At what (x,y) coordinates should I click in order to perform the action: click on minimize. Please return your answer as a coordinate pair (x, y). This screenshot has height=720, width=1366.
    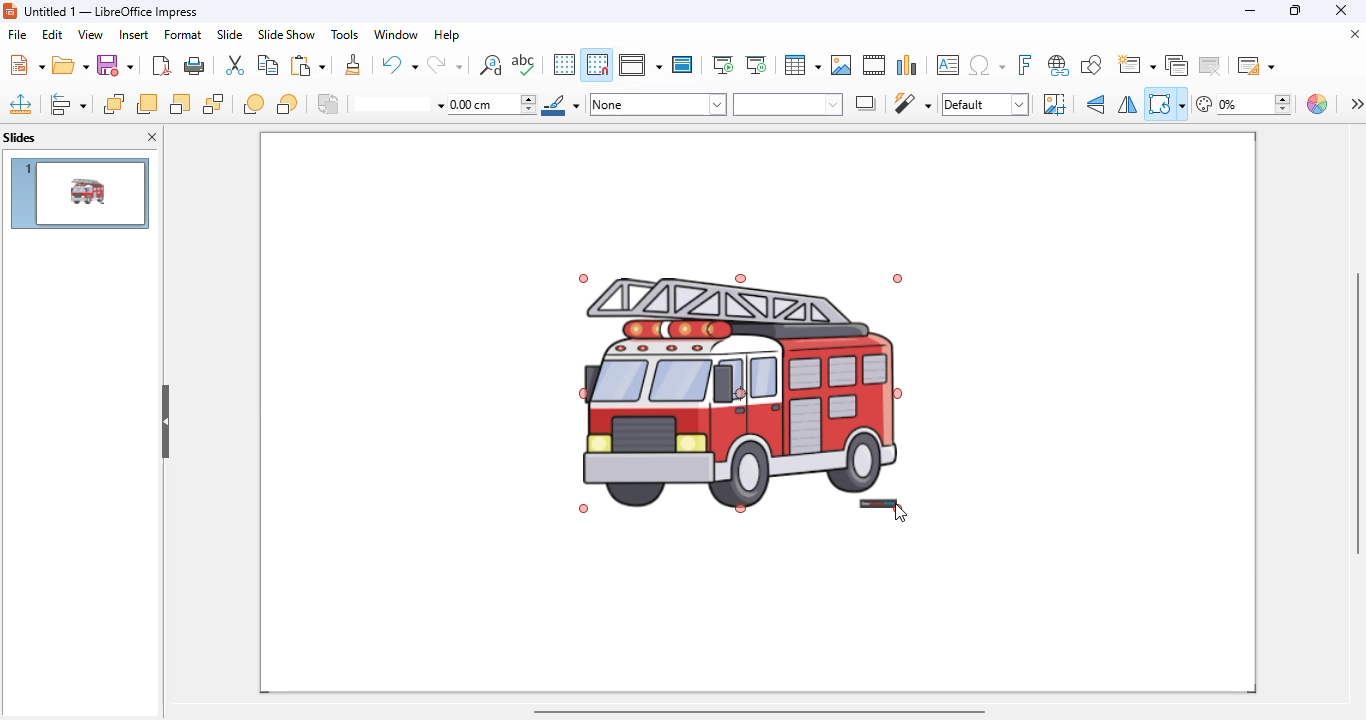
    Looking at the image, I should click on (1251, 10).